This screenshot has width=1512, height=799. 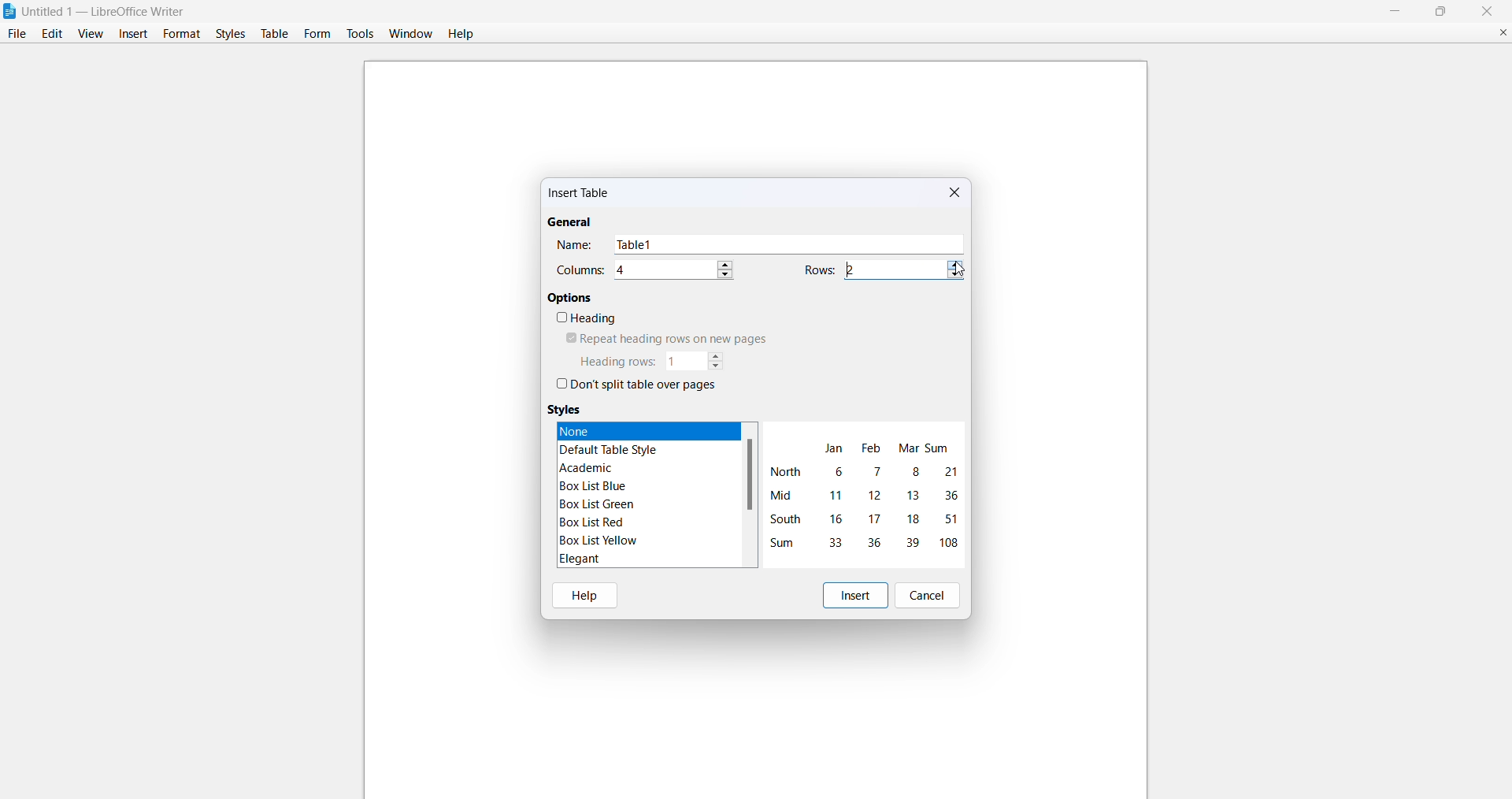 I want to click on options, so click(x=571, y=297).